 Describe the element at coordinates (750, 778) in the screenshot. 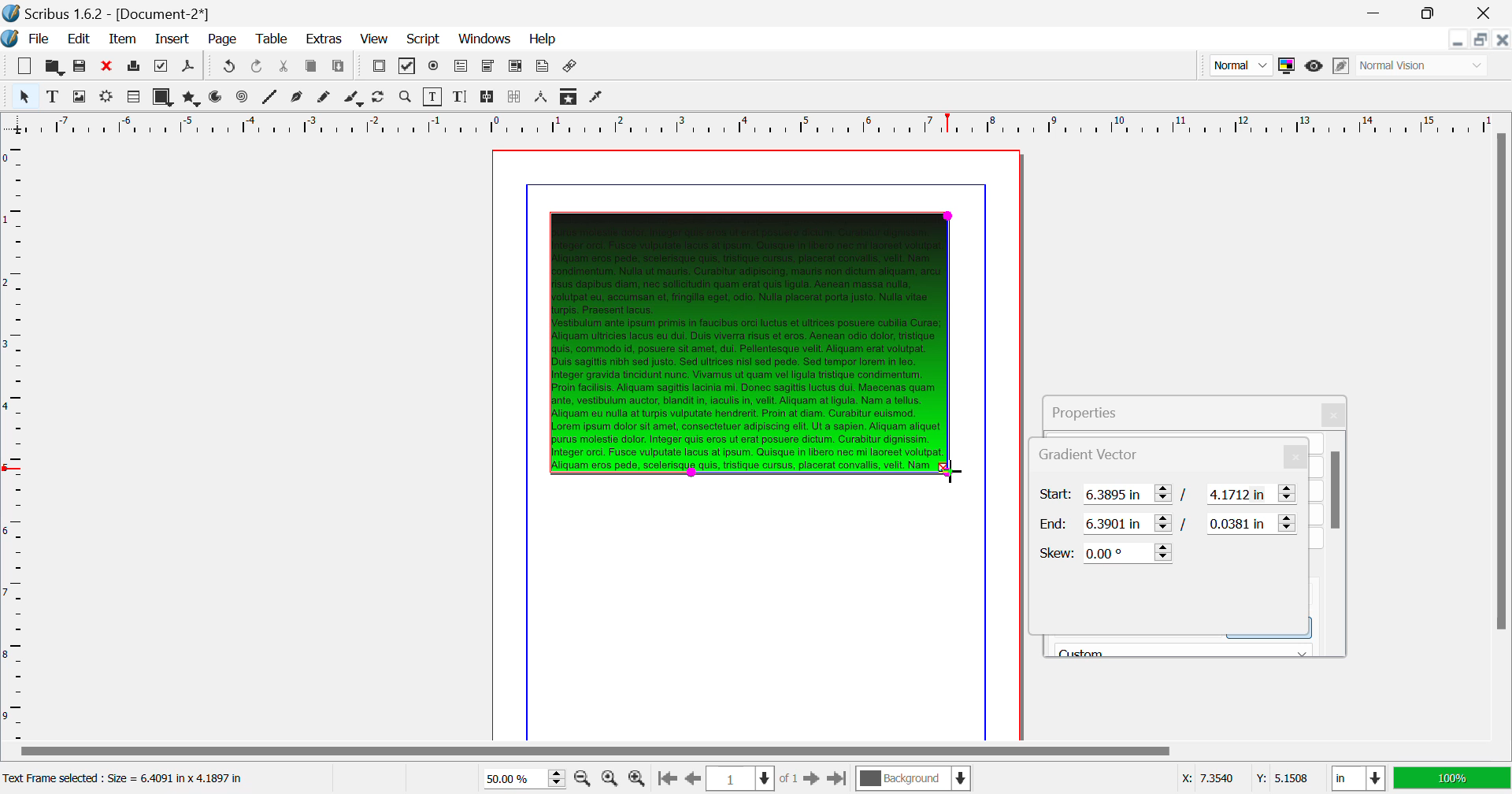

I see `Page 1 of 1` at that location.